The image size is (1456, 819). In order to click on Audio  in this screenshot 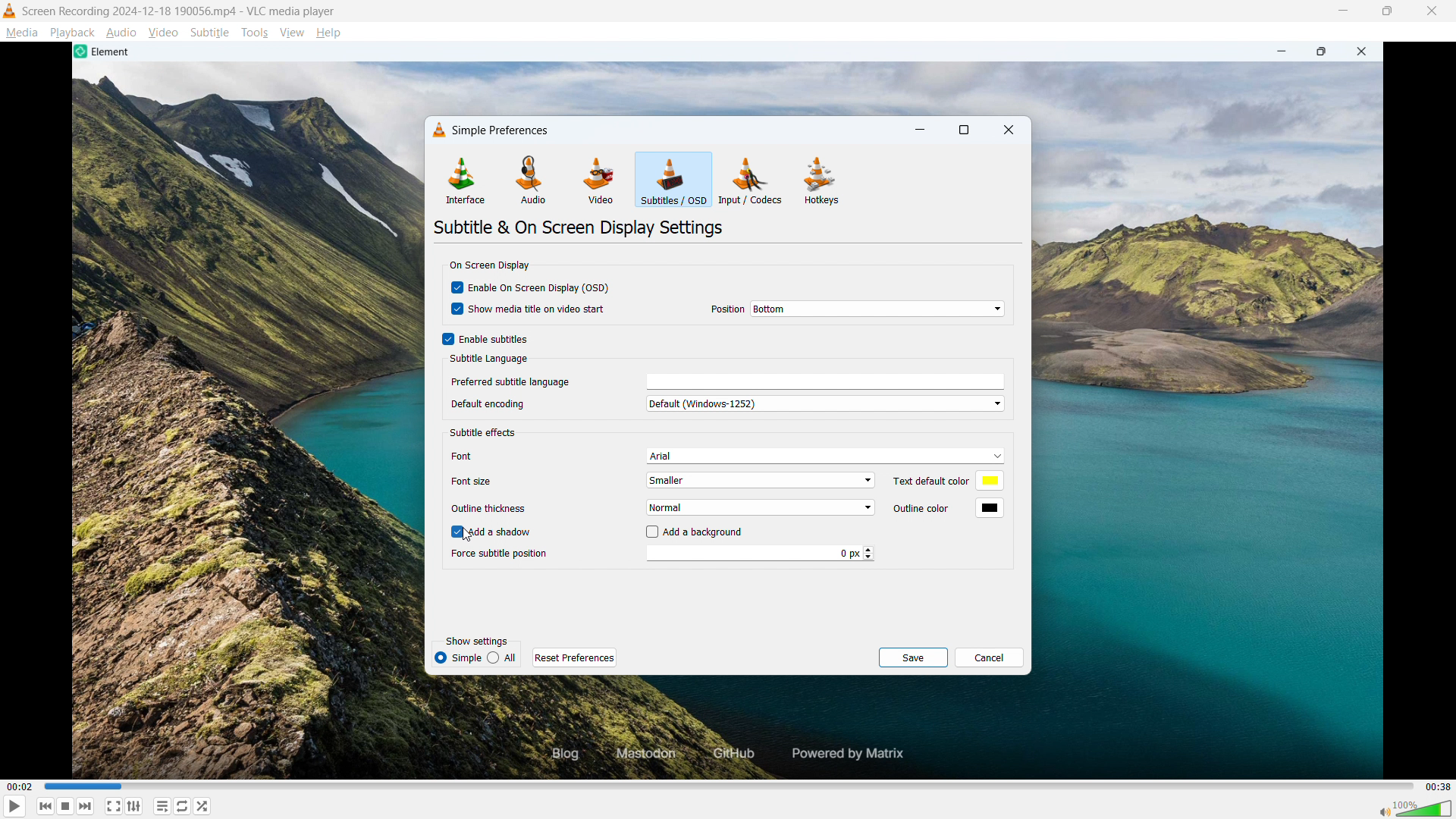, I will do `click(121, 33)`.